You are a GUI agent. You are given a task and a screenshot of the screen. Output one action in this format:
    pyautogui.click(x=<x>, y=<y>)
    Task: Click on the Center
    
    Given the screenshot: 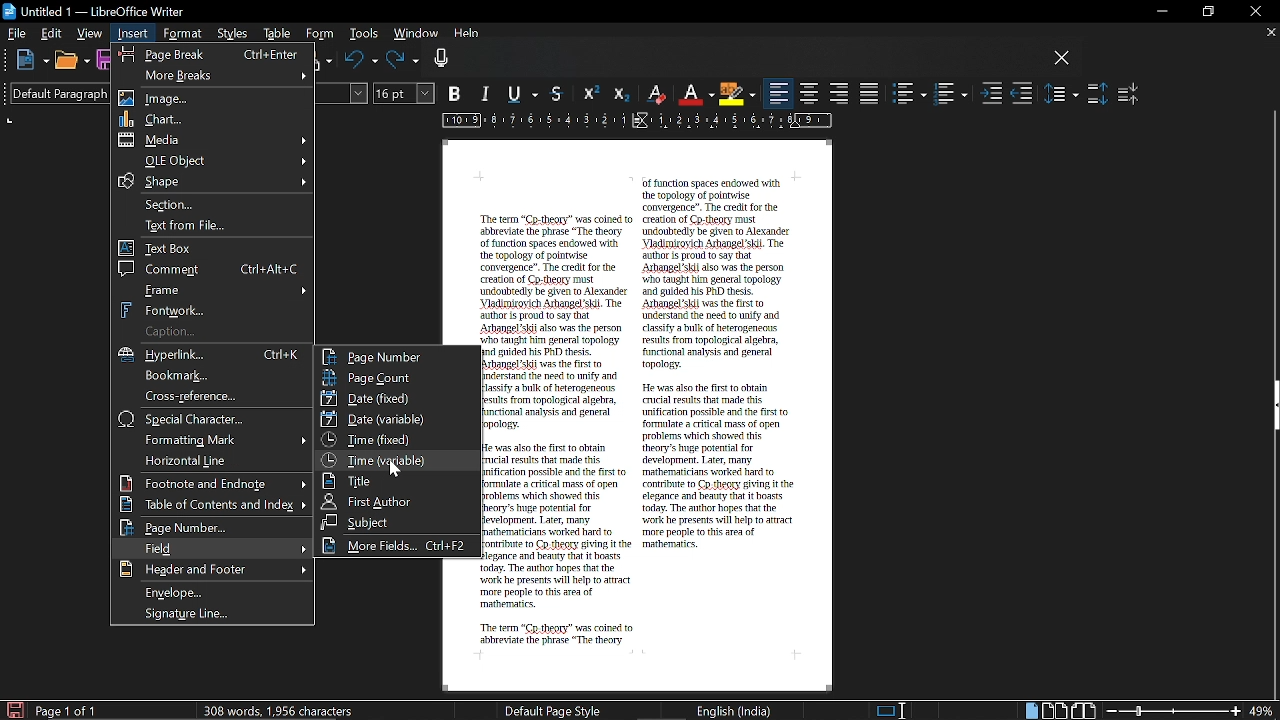 What is the action you would take?
    pyautogui.click(x=810, y=93)
    